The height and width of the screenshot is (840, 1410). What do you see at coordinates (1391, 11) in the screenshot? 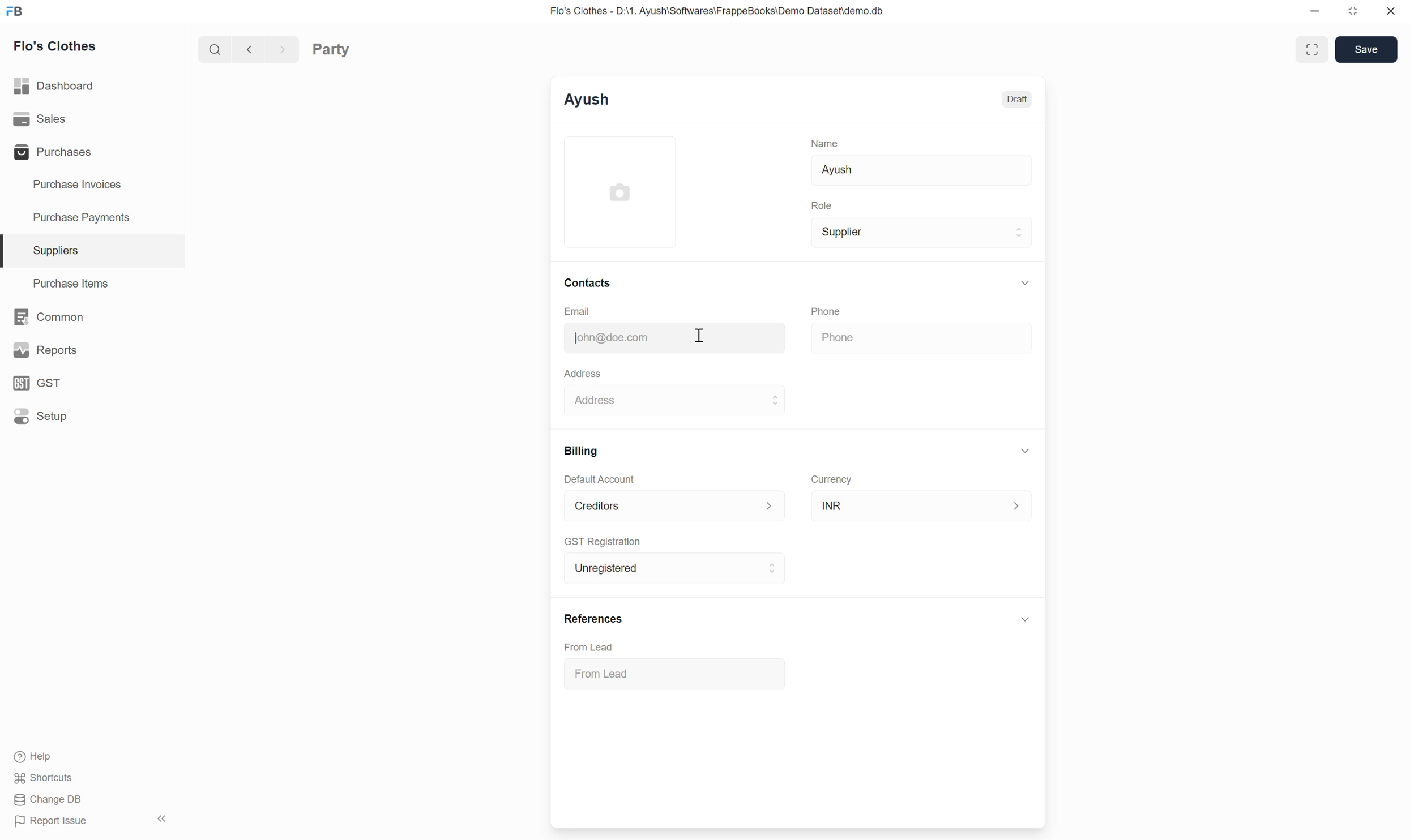
I see `Close` at bounding box center [1391, 11].